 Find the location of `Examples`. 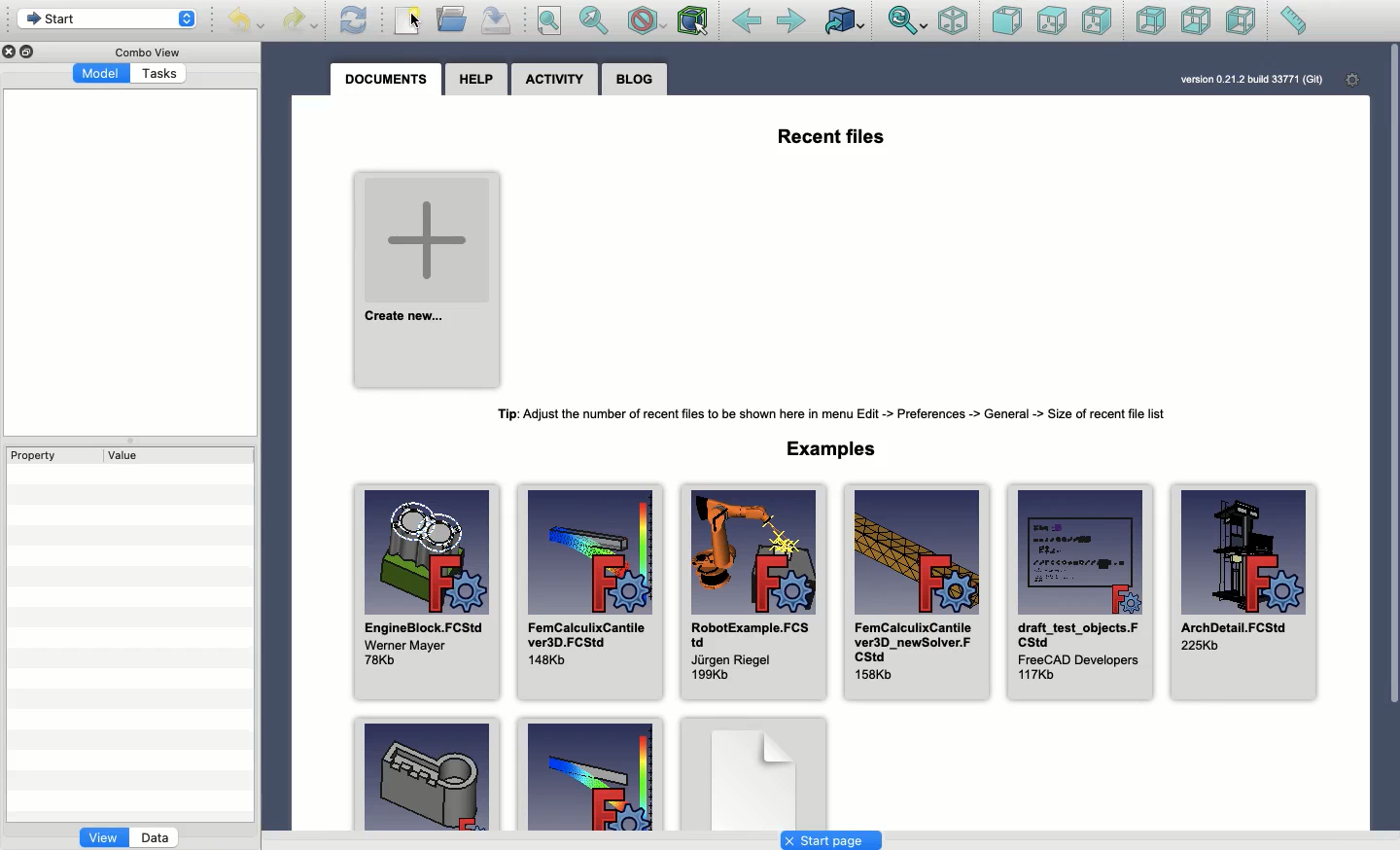

Examples is located at coordinates (832, 454).